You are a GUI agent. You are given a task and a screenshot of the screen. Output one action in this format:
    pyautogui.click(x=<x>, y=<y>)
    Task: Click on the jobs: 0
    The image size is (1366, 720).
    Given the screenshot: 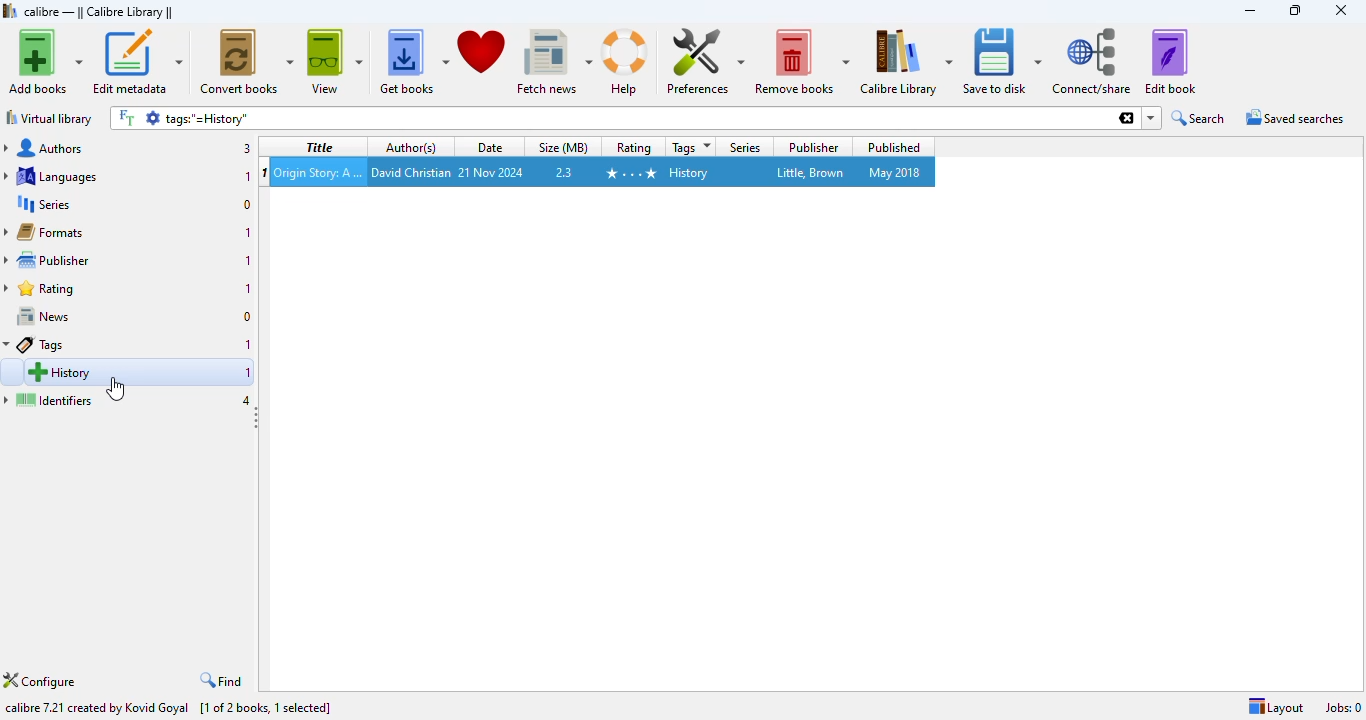 What is the action you would take?
    pyautogui.click(x=1344, y=708)
    